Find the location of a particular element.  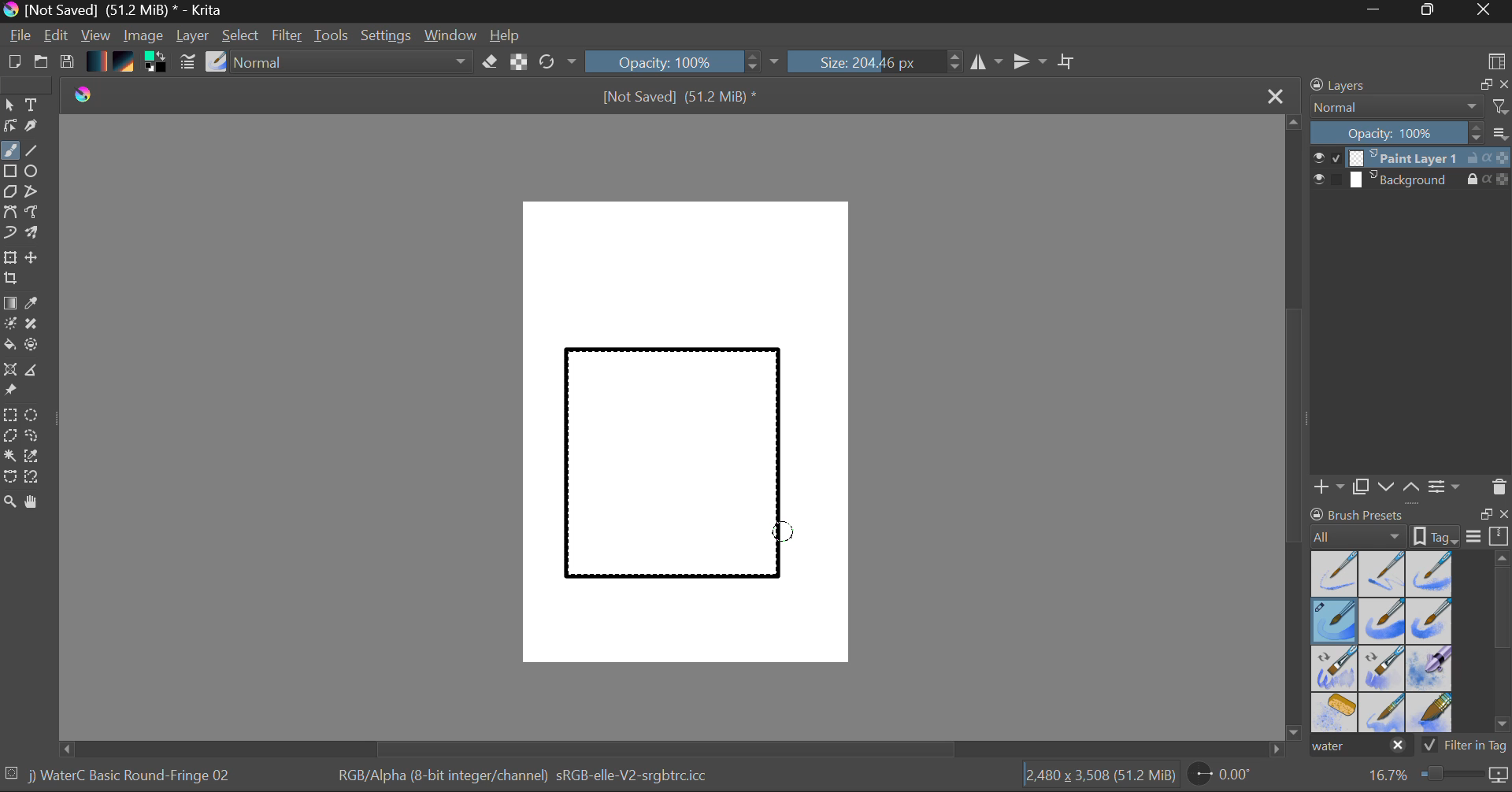

Gradient is located at coordinates (95, 60).